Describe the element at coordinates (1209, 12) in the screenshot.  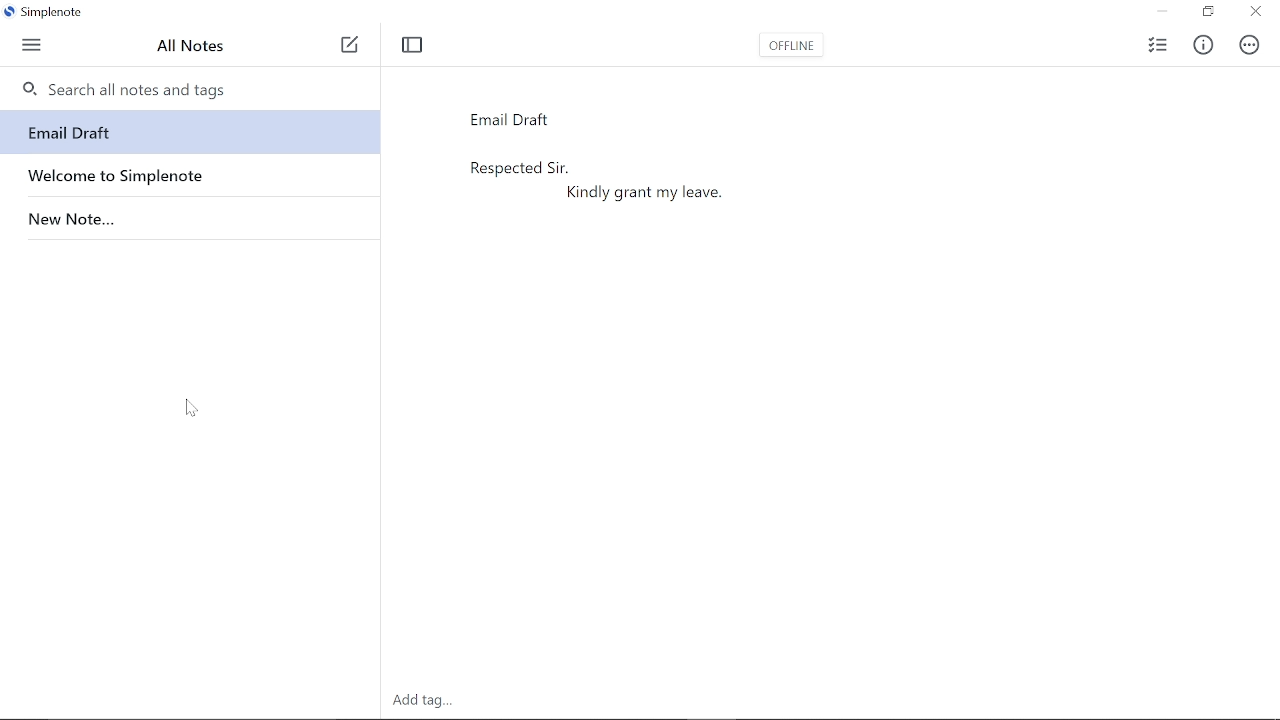
I see `Restore down` at that location.